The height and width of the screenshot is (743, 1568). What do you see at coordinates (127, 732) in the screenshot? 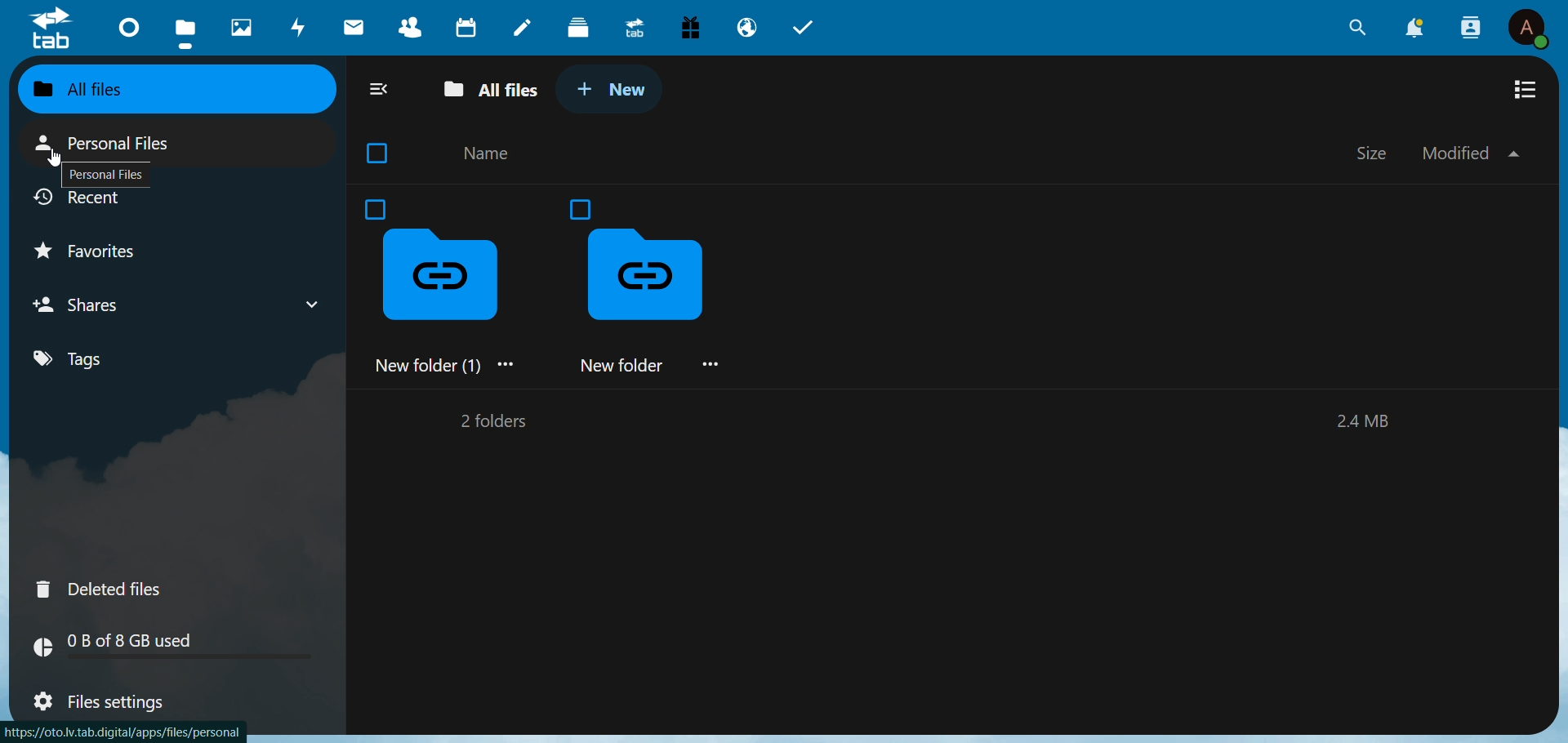
I see `link` at bounding box center [127, 732].